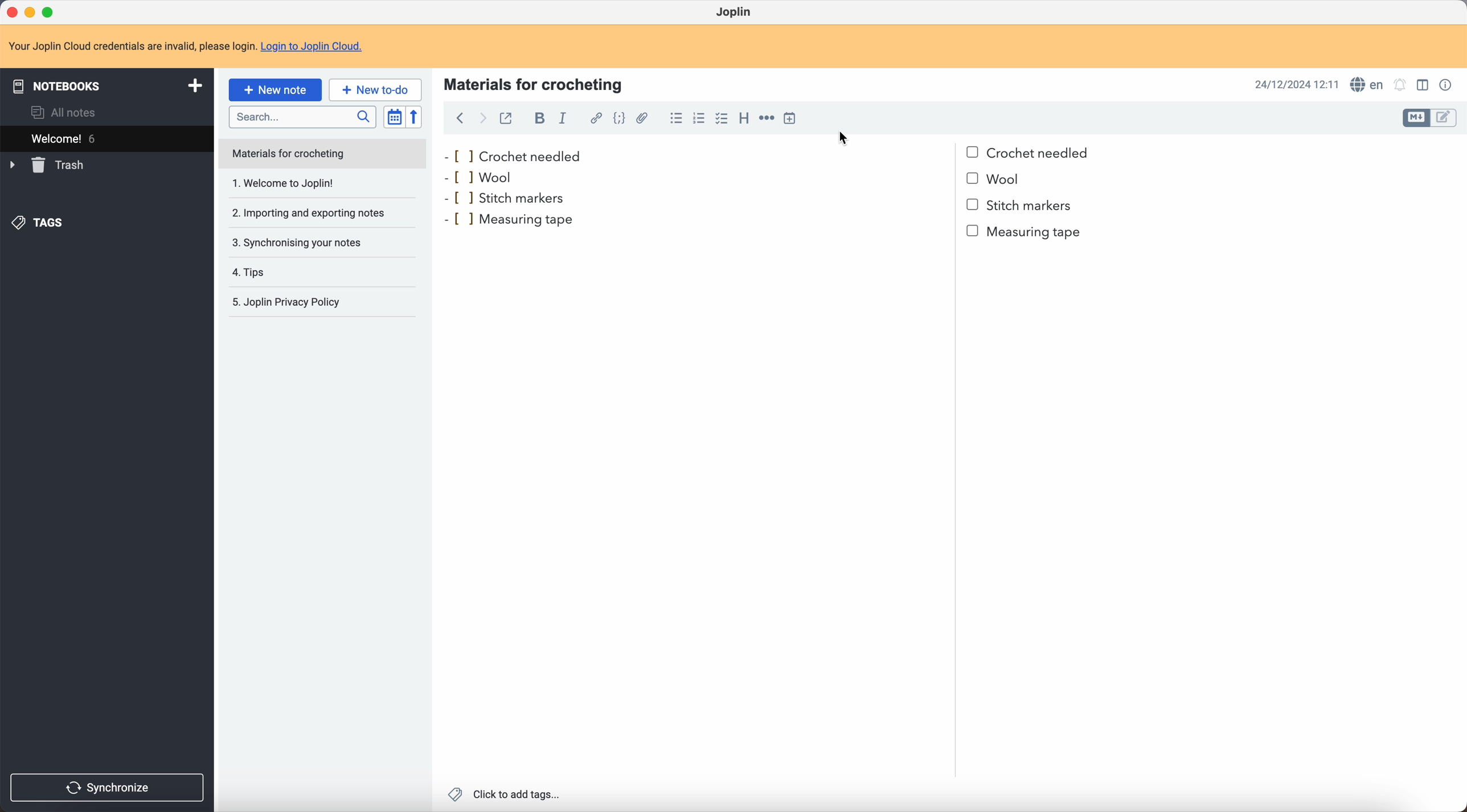  What do you see at coordinates (565, 118) in the screenshot?
I see `italic` at bounding box center [565, 118].